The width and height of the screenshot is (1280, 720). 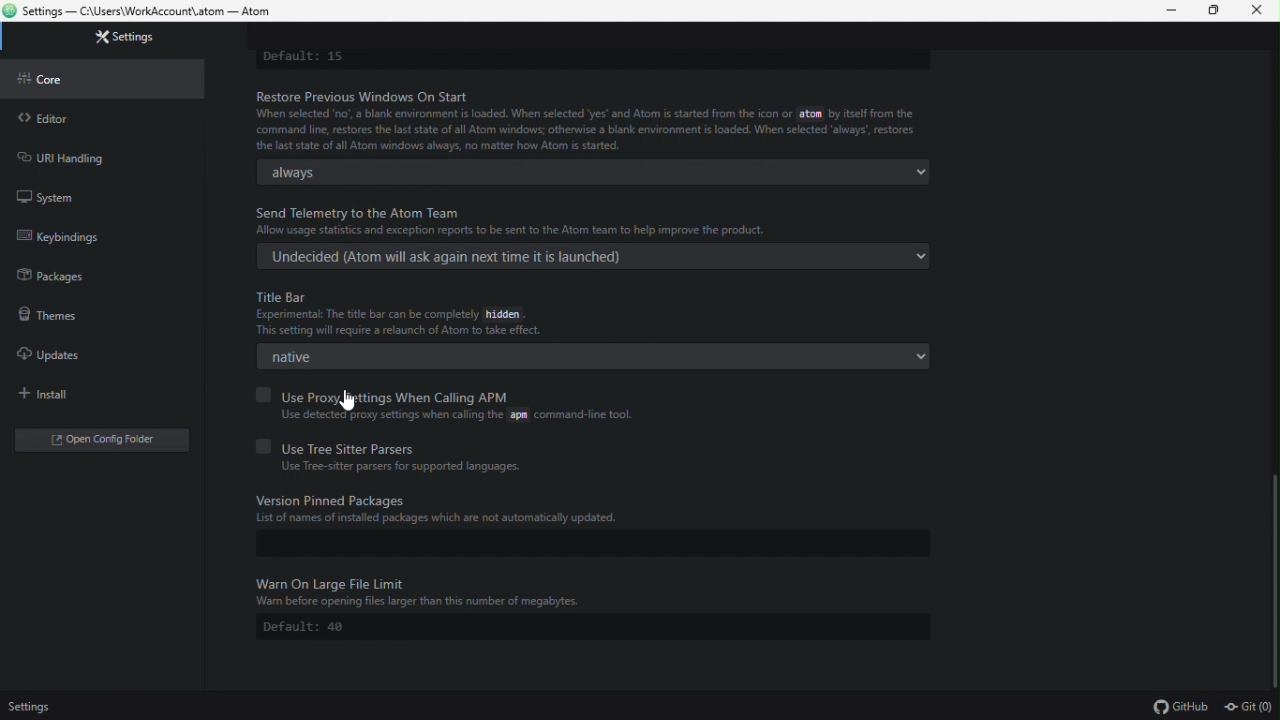 What do you see at coordinates (334, 582) in the screenshot?
I see `Warn On Large File Limit` at bounding box center [334, 582].